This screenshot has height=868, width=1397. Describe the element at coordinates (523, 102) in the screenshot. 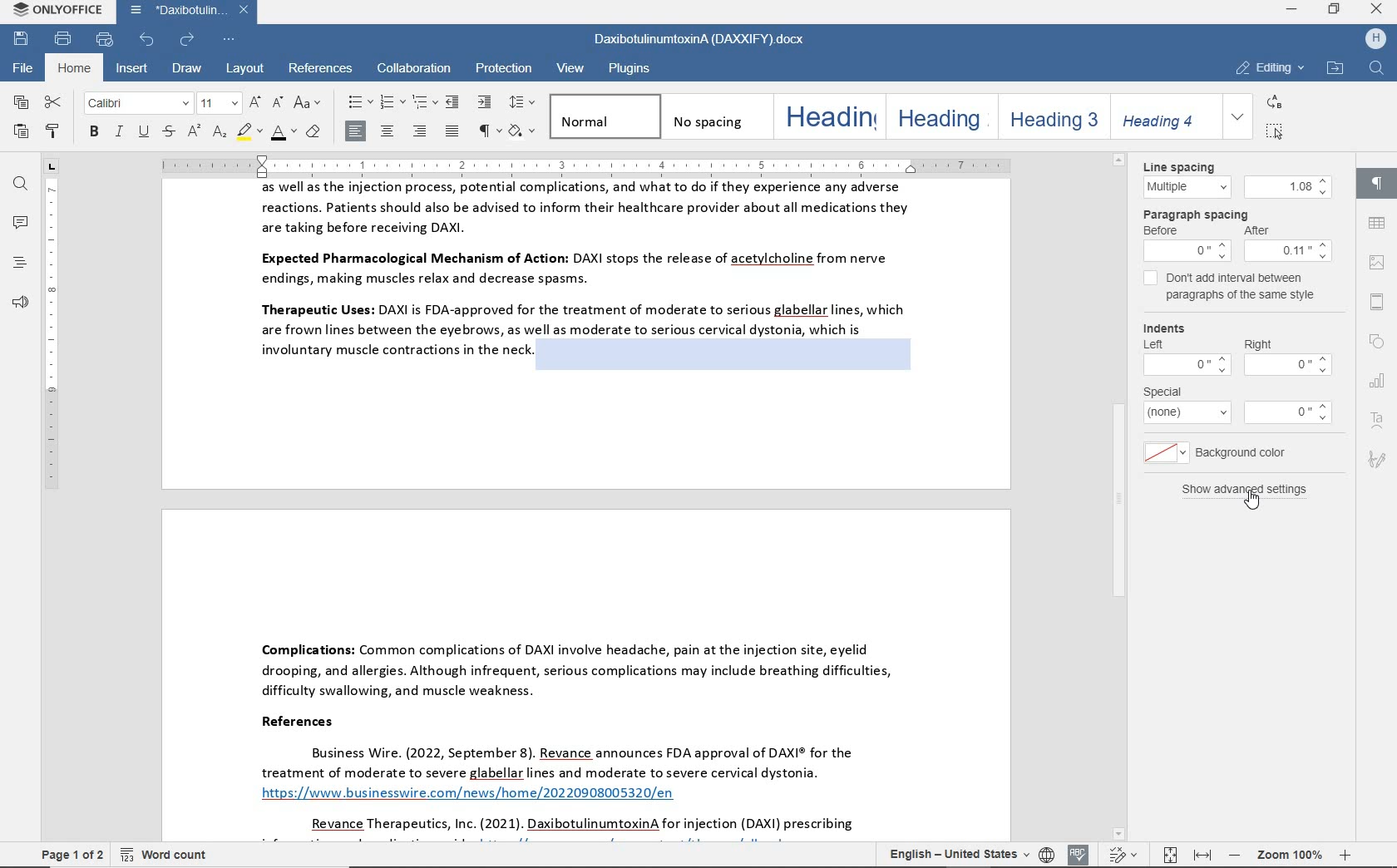

I see `paragraph line spacing` at that location.